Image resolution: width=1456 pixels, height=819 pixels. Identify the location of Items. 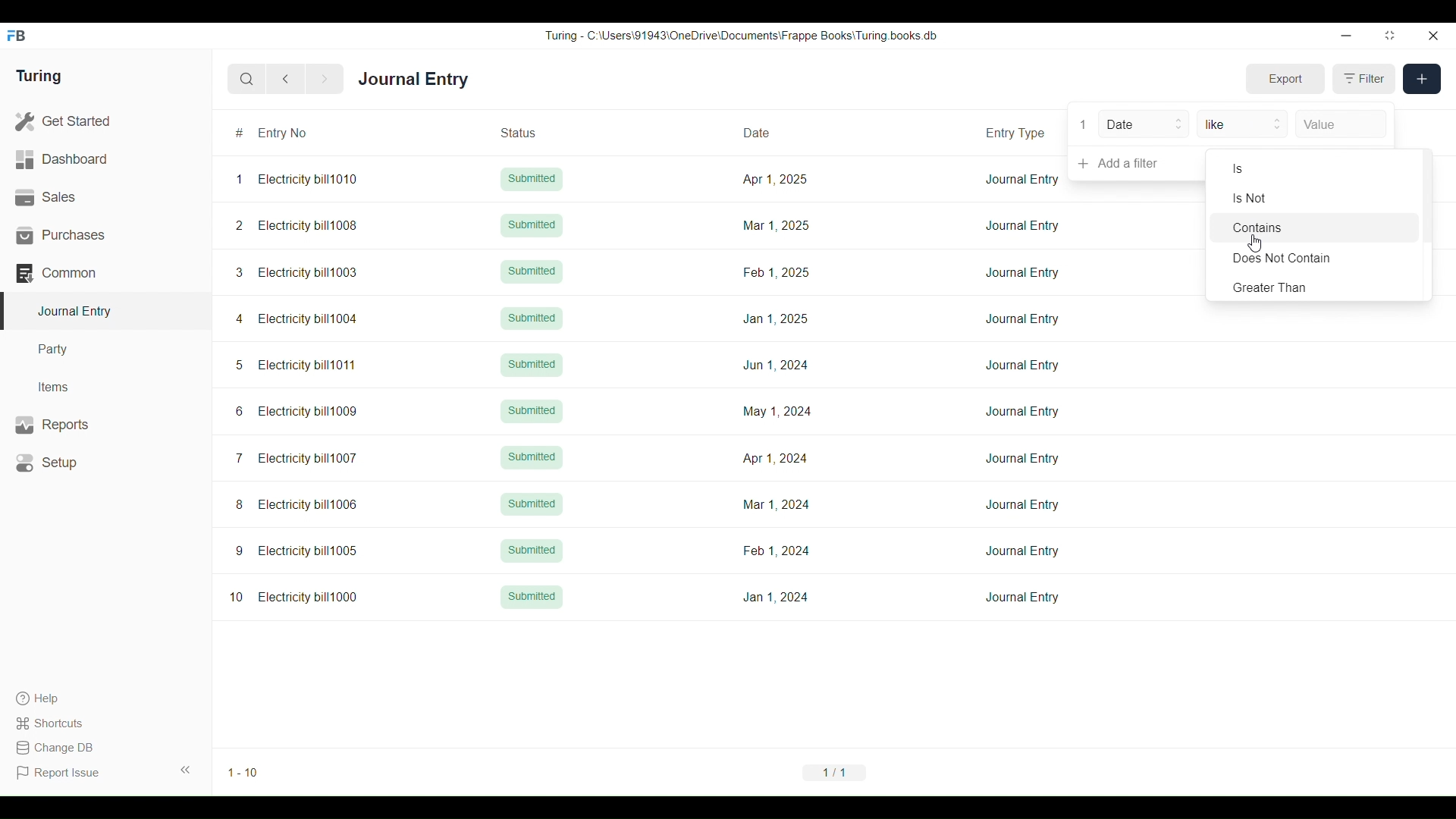
(106, 388).